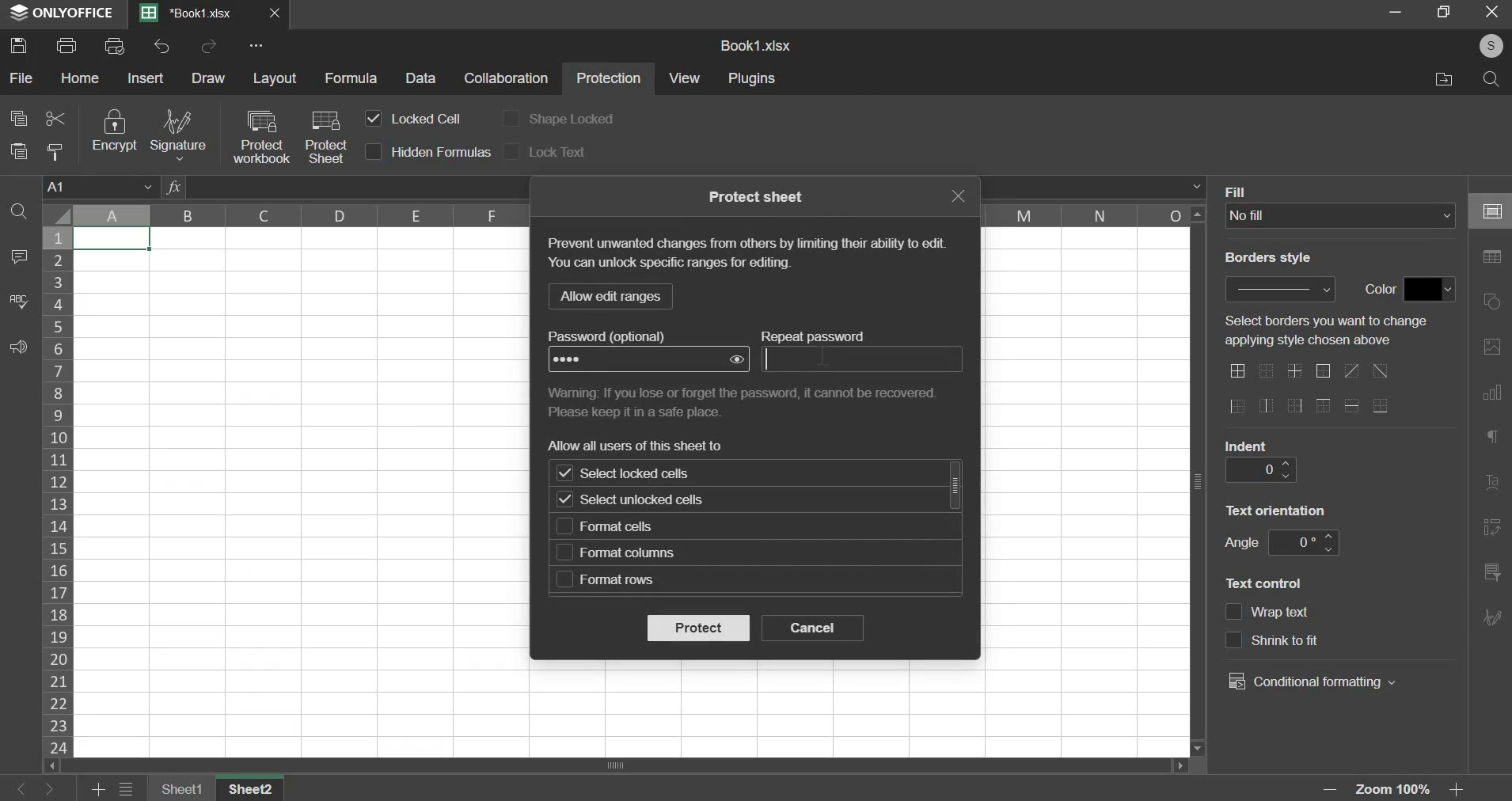 This screenshot has height=801, width=1512. What do you see at coordinates (55, 116) in the screenshot?
I see `cut` at bounding box center [55, 116].